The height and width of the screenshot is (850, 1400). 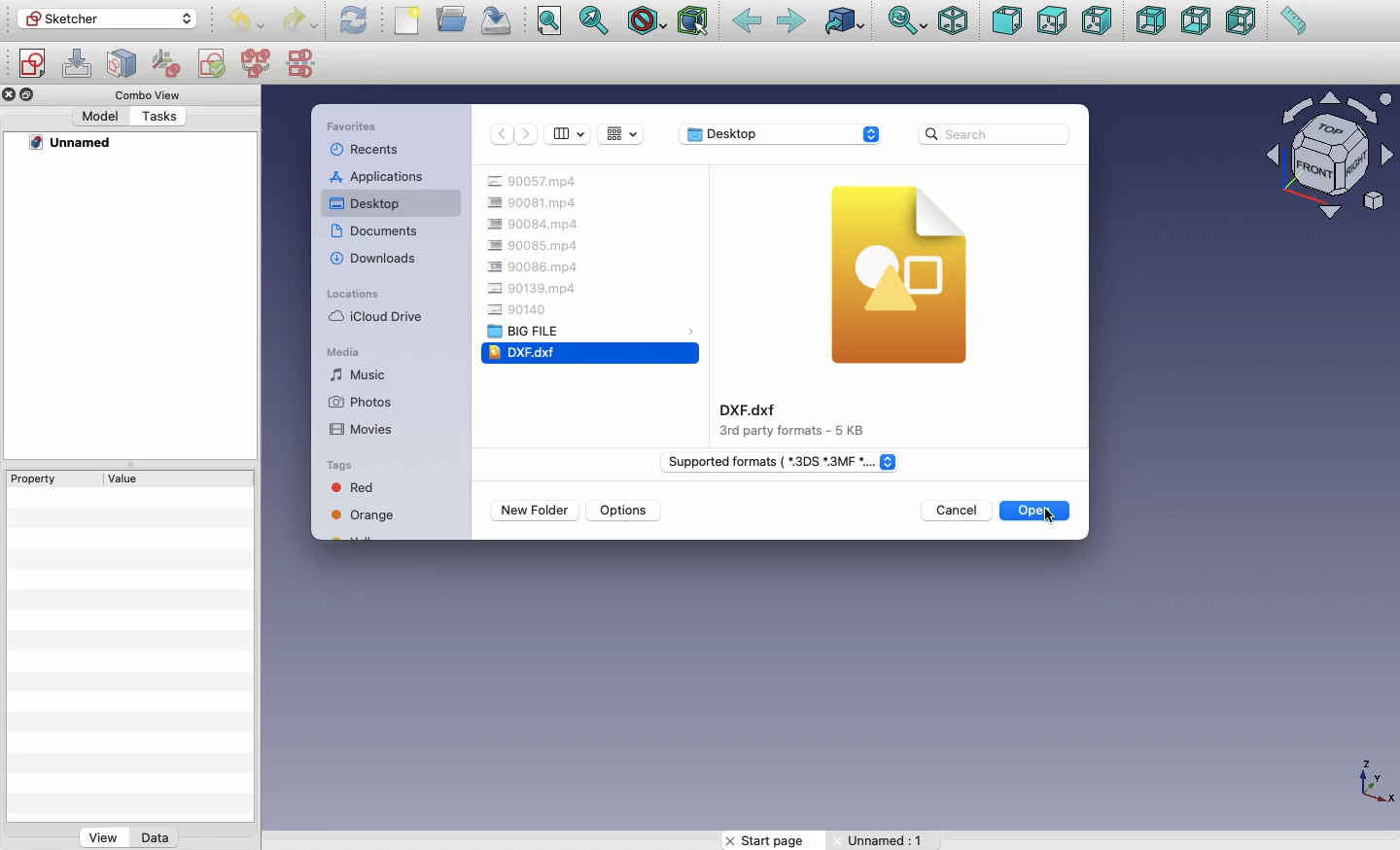 What do you see at coordinates (1293, 20) in the screenshot?
I see `Measure` at bounding box center [1293, 20].